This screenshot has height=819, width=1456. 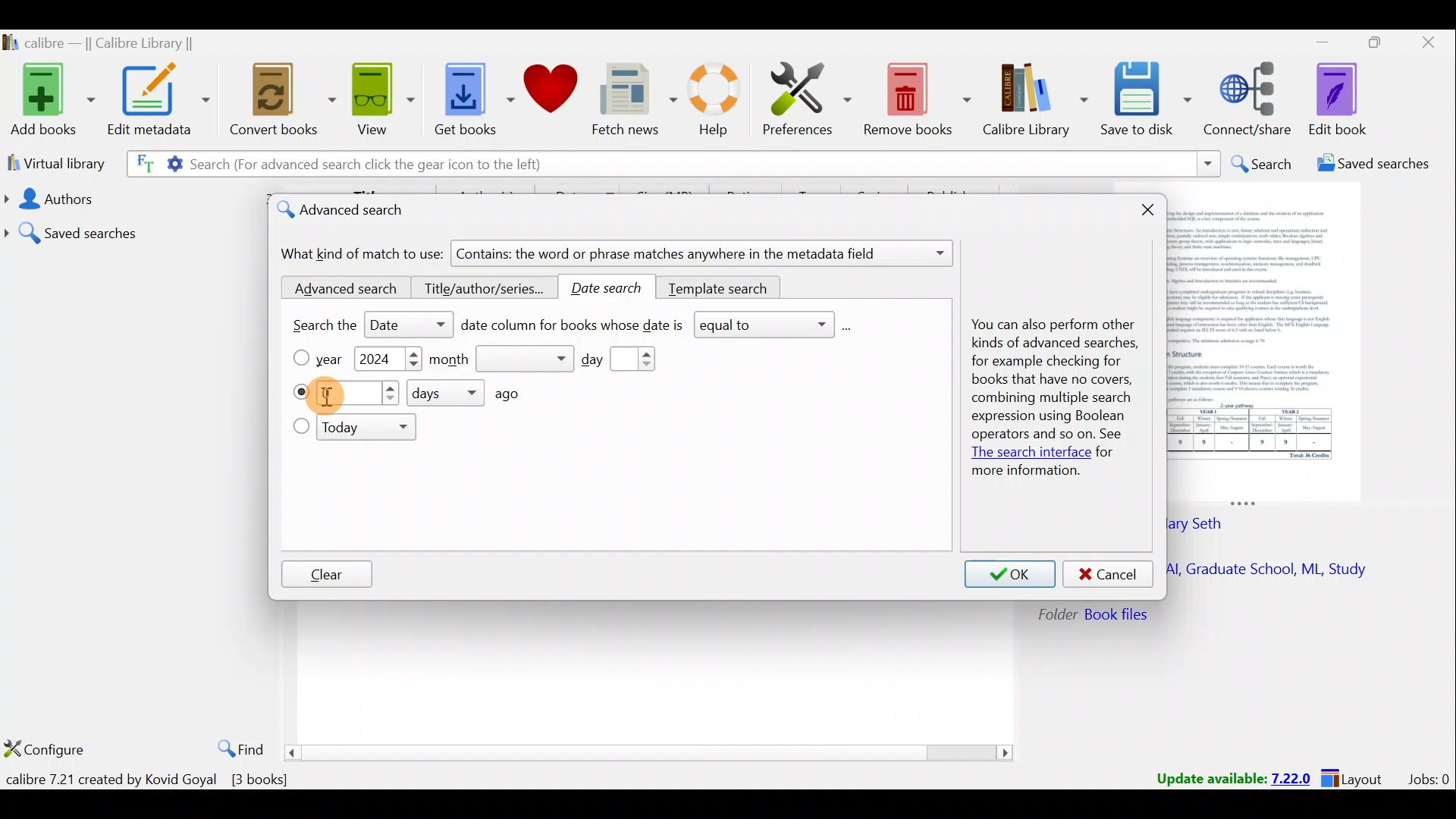 I want to click on How many days ago?, so click(x=477, y=393).